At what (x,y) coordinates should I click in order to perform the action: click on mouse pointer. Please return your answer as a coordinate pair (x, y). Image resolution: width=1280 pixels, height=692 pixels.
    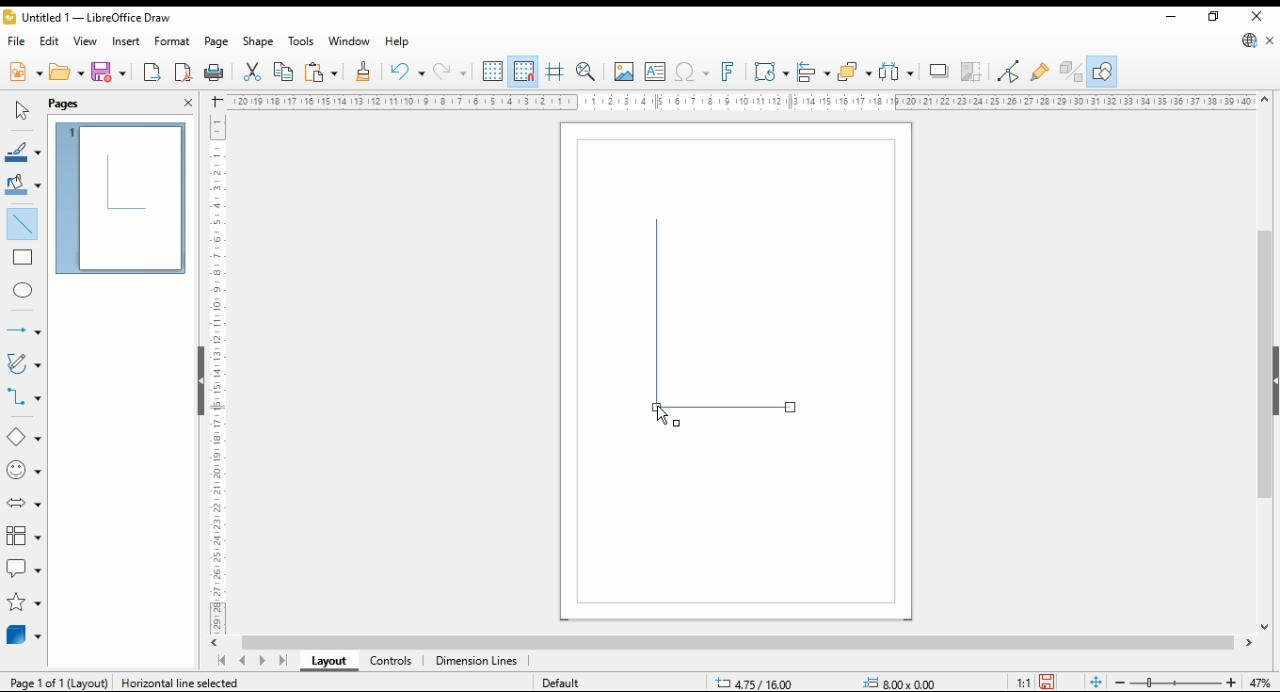
    Looking at the image, I should click on (668, 418).